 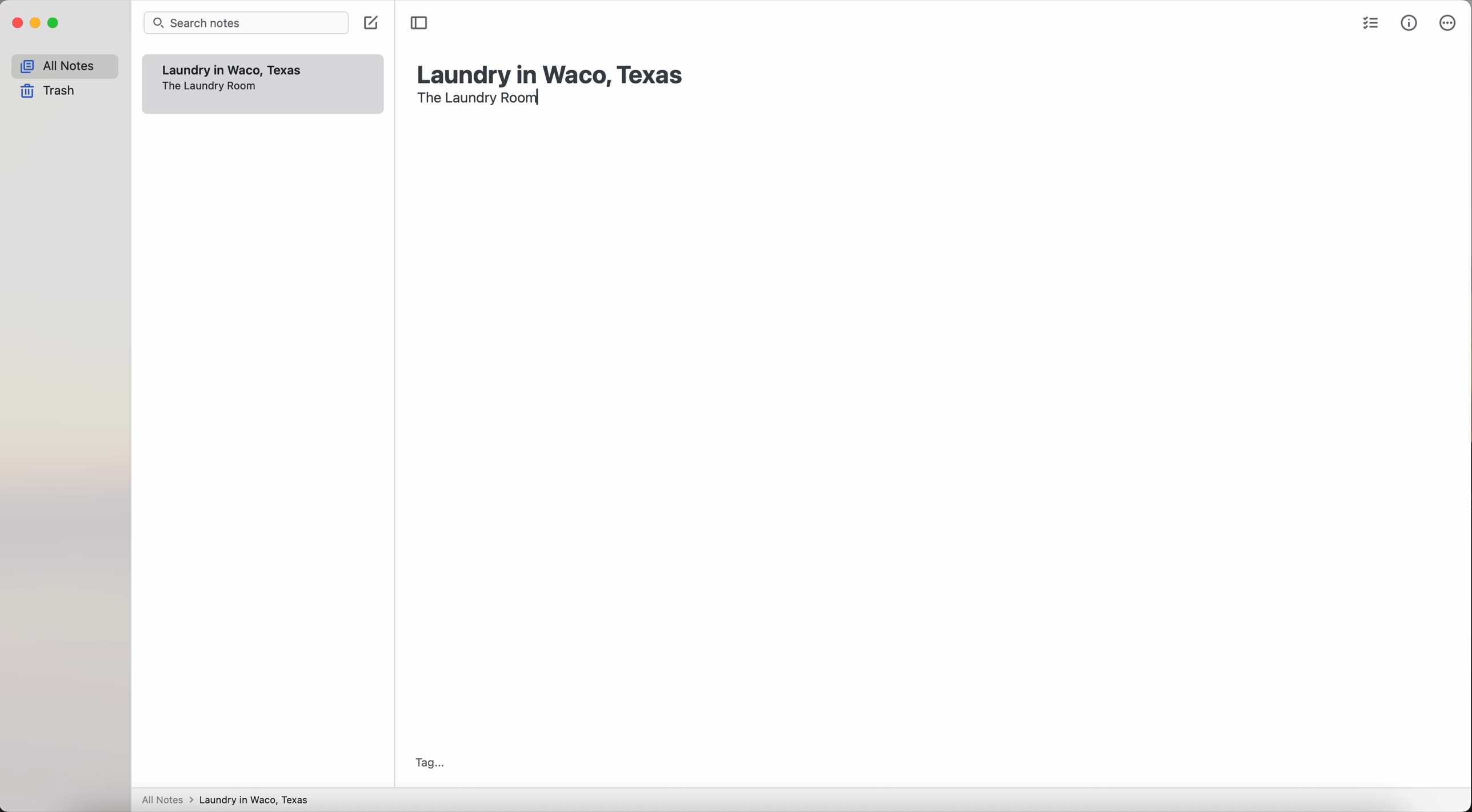 What do you see at coordinates (249, 23) in the screenshot?
I see `search bar` at bounding box center [249, 23].